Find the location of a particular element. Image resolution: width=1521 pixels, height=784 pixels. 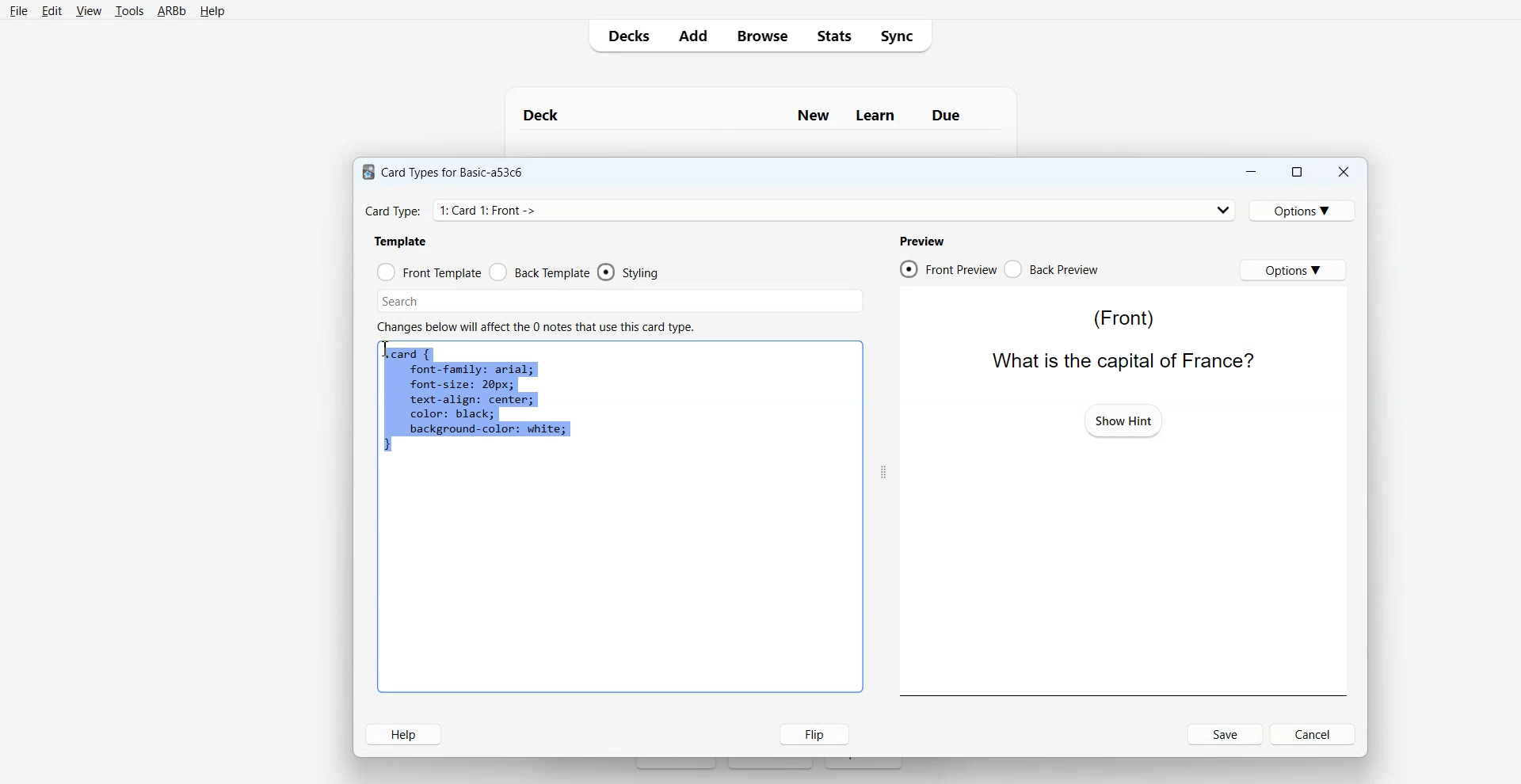

Front Template is located at coordinates (429, 272).